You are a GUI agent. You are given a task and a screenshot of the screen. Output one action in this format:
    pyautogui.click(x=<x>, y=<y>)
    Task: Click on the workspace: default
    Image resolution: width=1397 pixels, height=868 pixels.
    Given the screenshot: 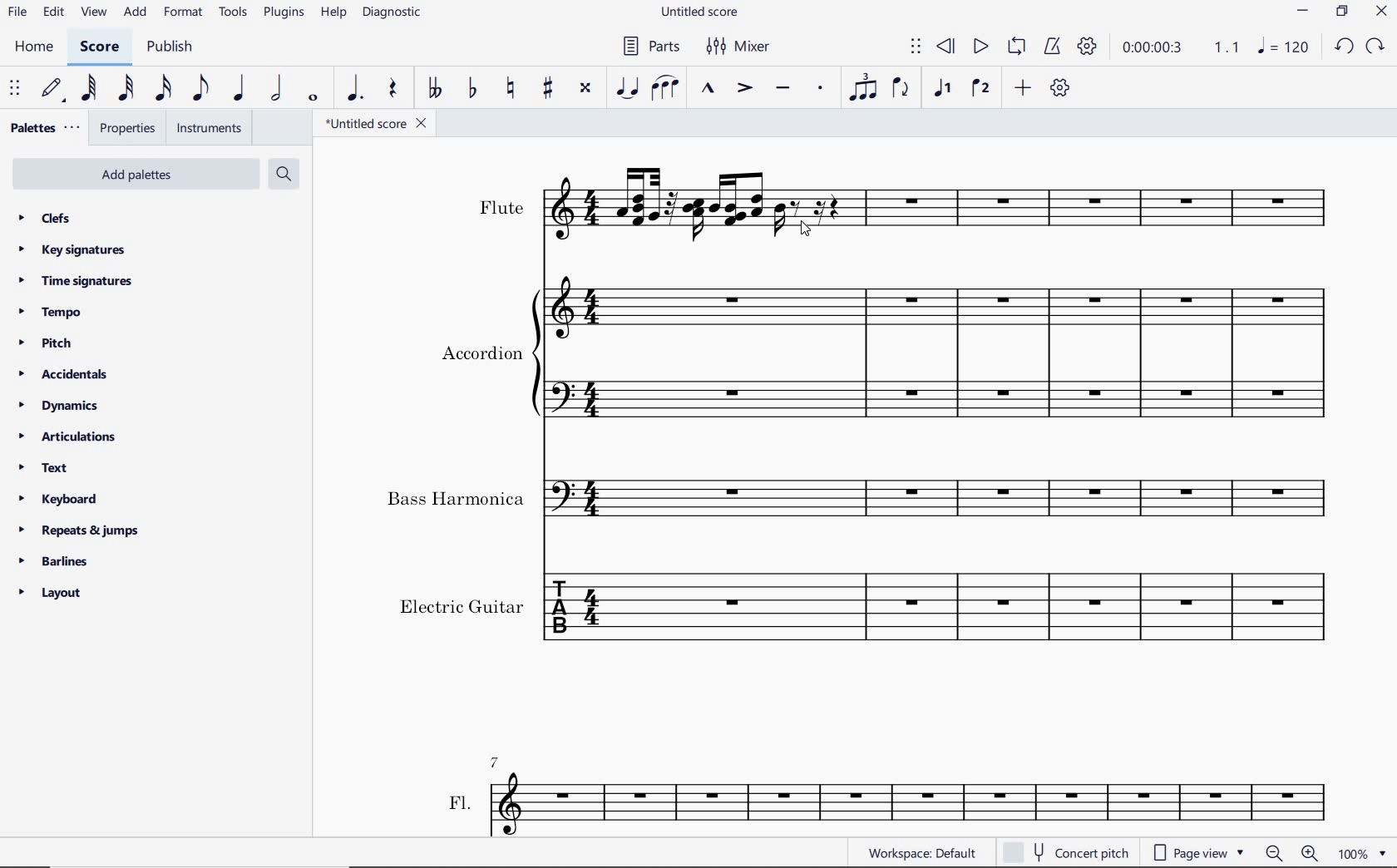 What is the action you would take?
    pyautogui.click(x=919, y=852)
    